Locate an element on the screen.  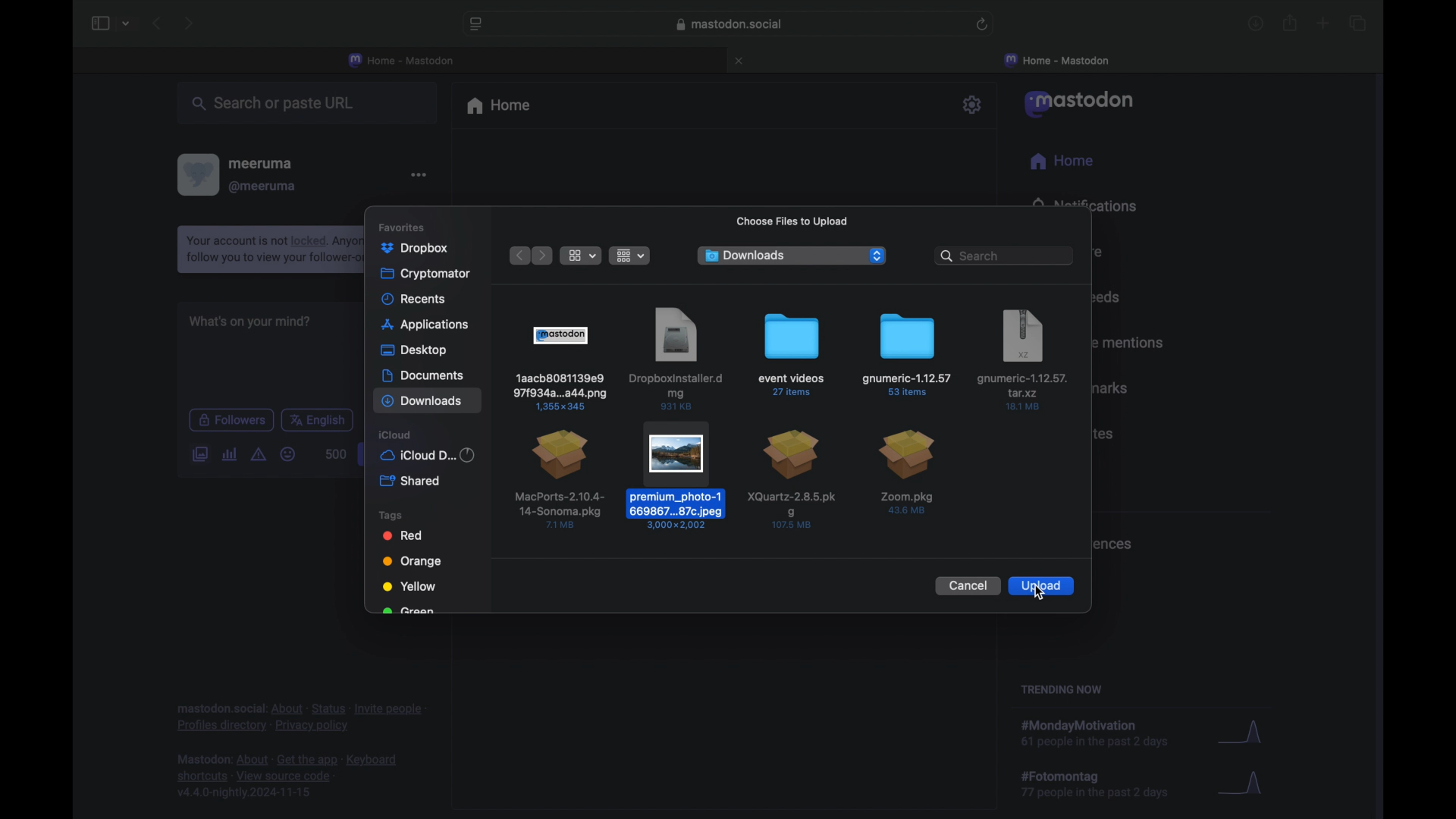
tab group picker is located at coordinates (128, 24).